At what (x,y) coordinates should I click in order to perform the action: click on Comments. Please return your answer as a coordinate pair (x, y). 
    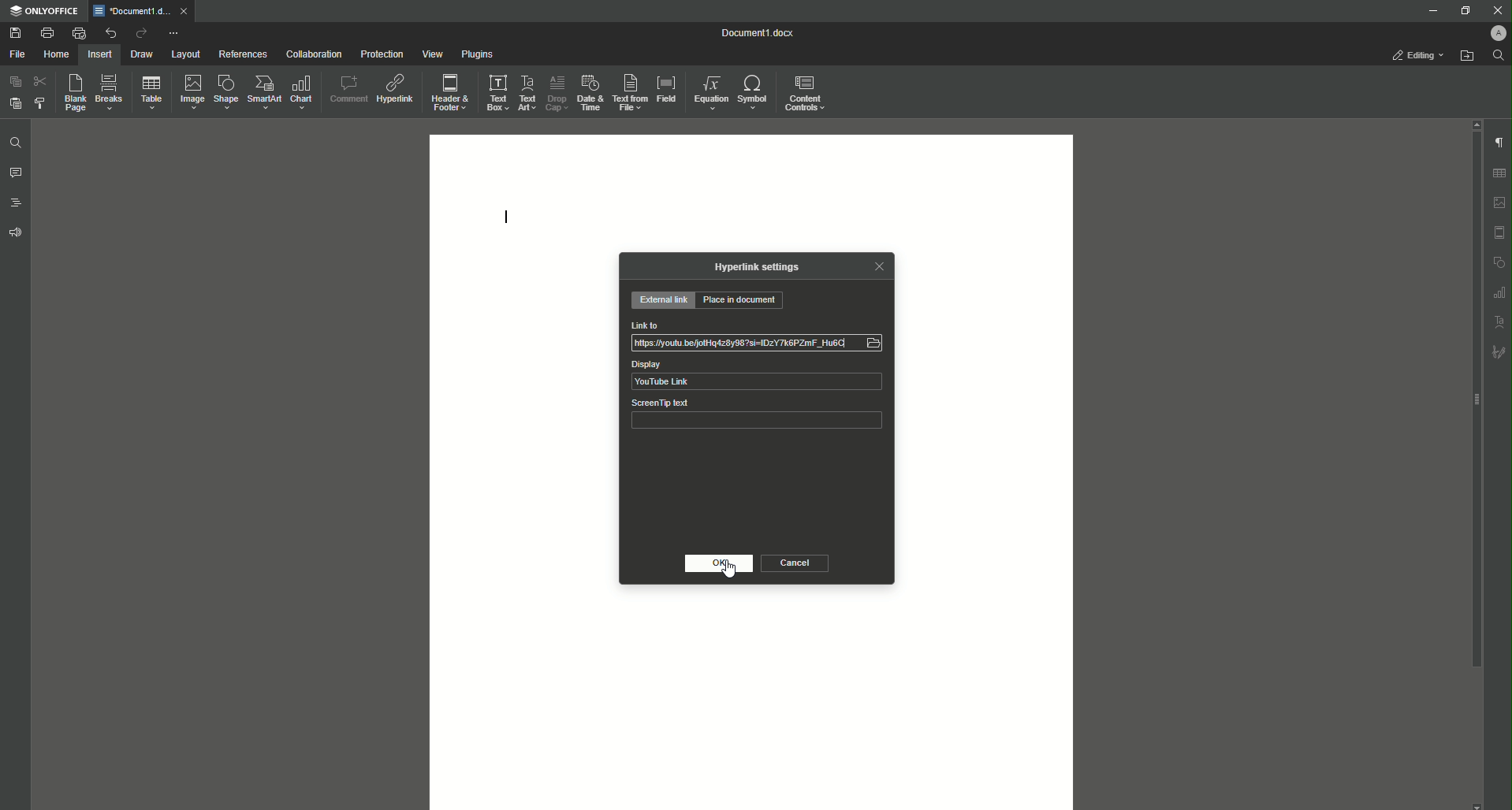
    Looking at the image, I should click on (16, 173).